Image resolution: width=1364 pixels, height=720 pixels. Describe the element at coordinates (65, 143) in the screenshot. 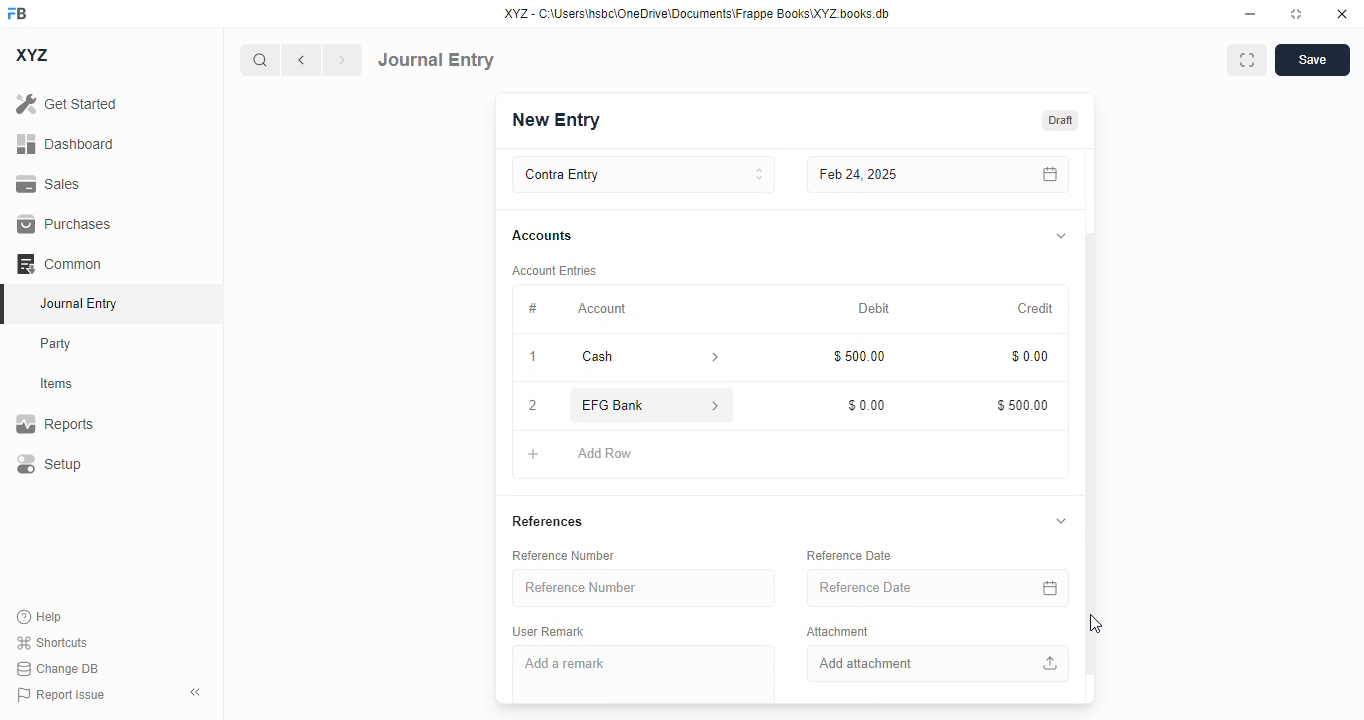

I see `dashboard` at that location.